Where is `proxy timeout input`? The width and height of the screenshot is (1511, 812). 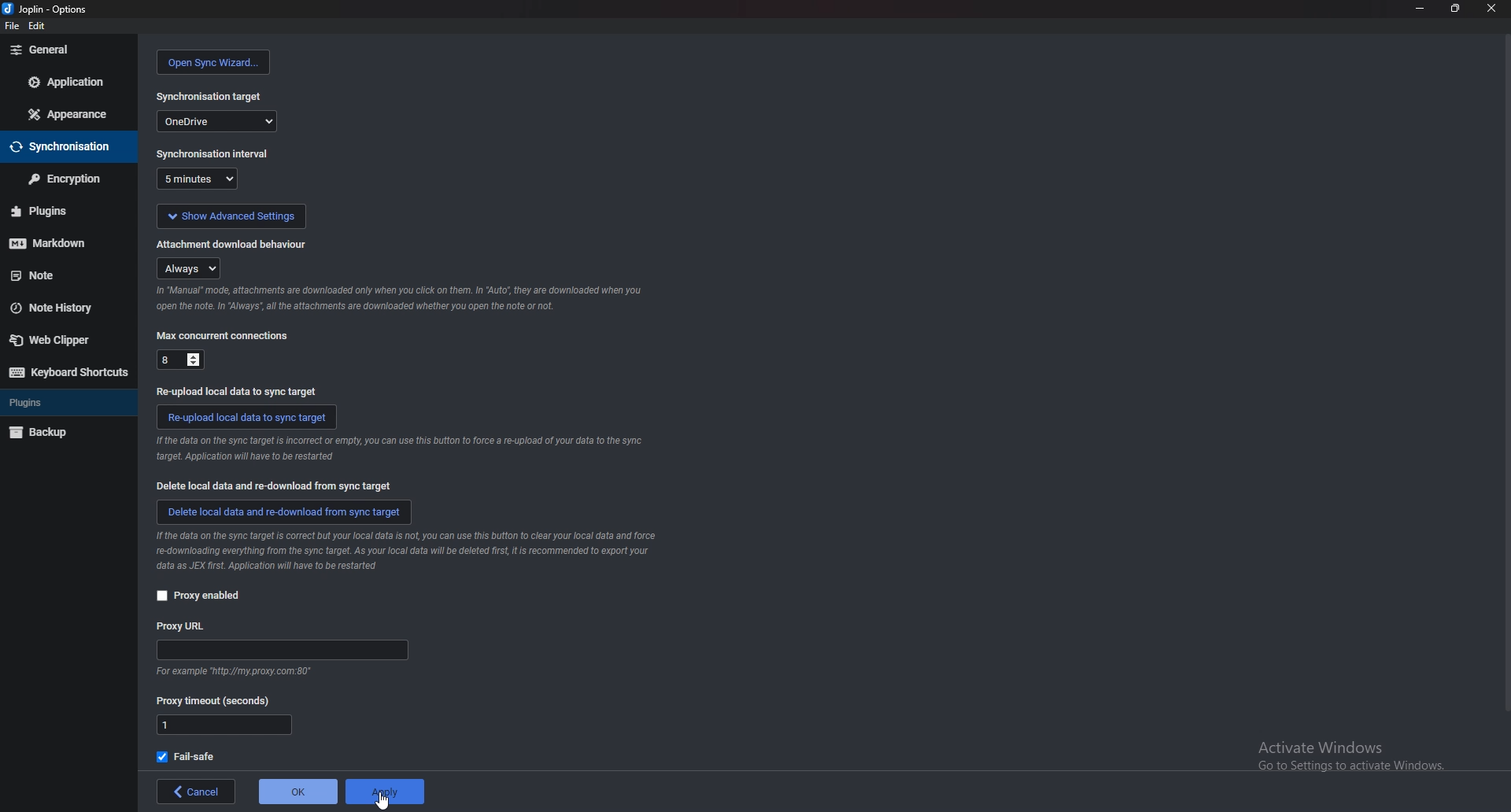 proxy timeout input is located at coordinates (224, 726).